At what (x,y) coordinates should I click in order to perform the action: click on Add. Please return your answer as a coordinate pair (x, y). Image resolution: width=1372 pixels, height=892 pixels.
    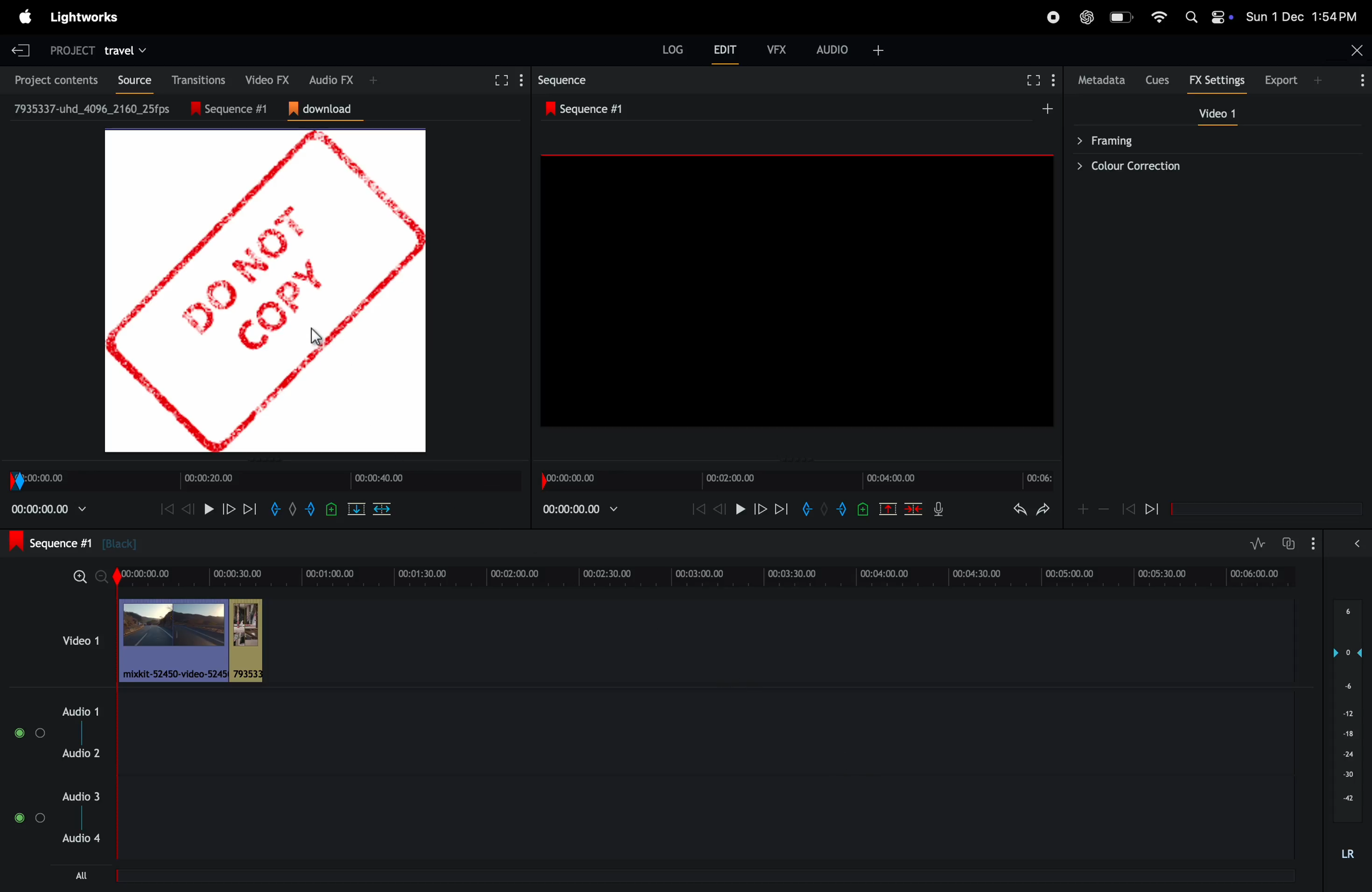
    Looking at the image, I should click on (824, 508).